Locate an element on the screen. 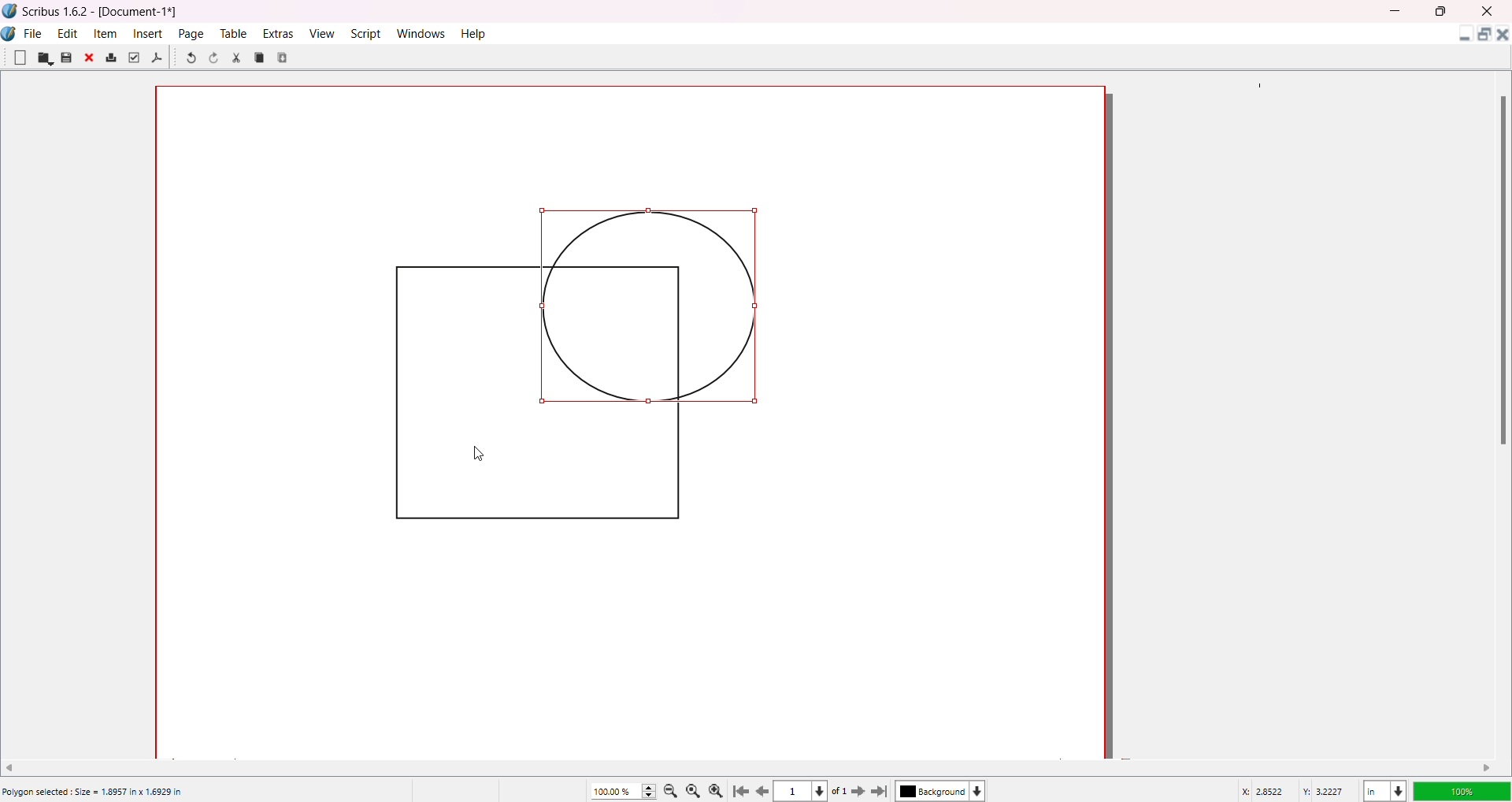 This screenshot has height=802, width=1512. Open is located at coordinates (45, 58).